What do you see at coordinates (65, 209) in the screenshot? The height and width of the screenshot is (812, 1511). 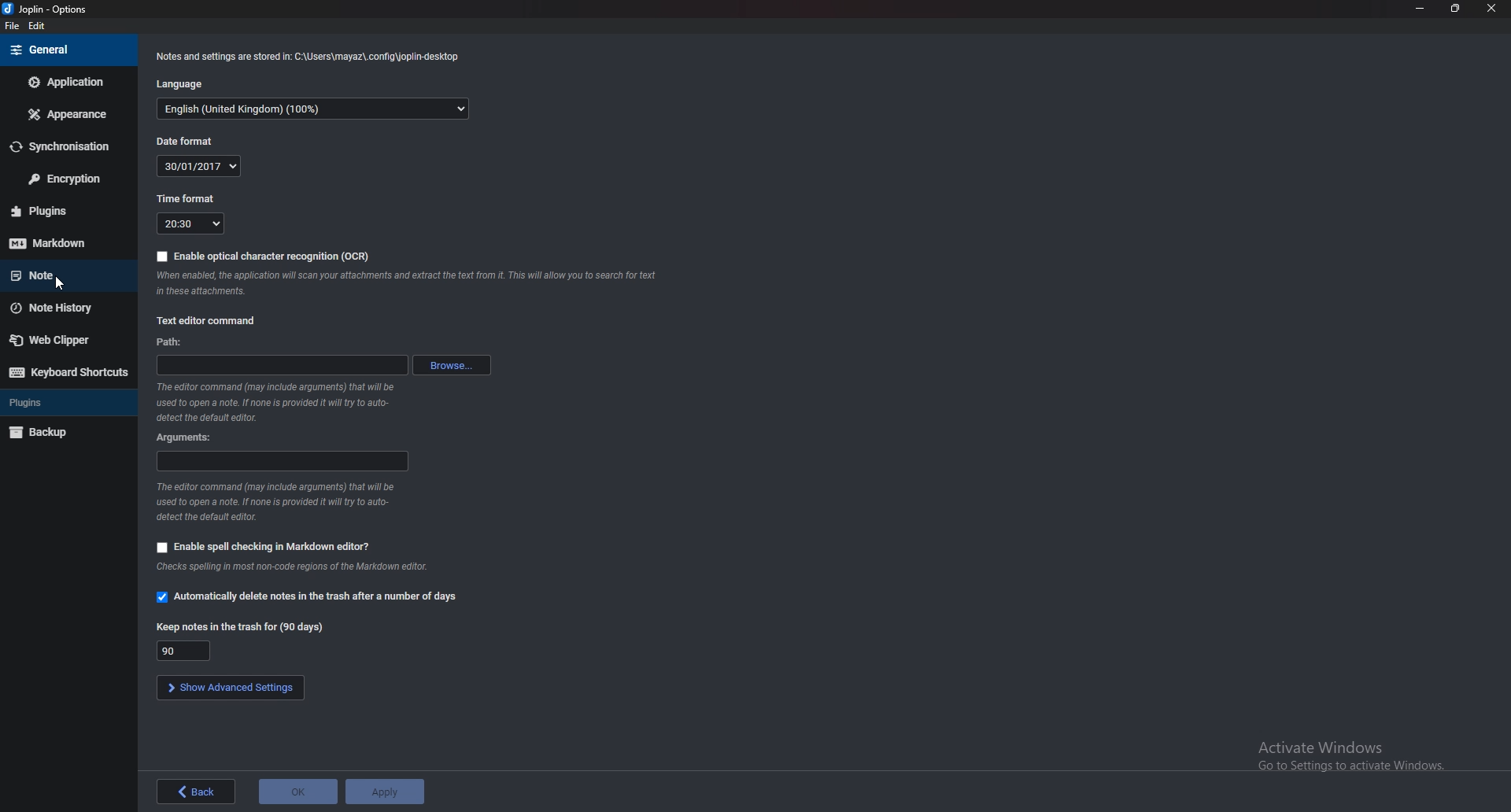 I see `Plugins` at bounding box center [65, 209].